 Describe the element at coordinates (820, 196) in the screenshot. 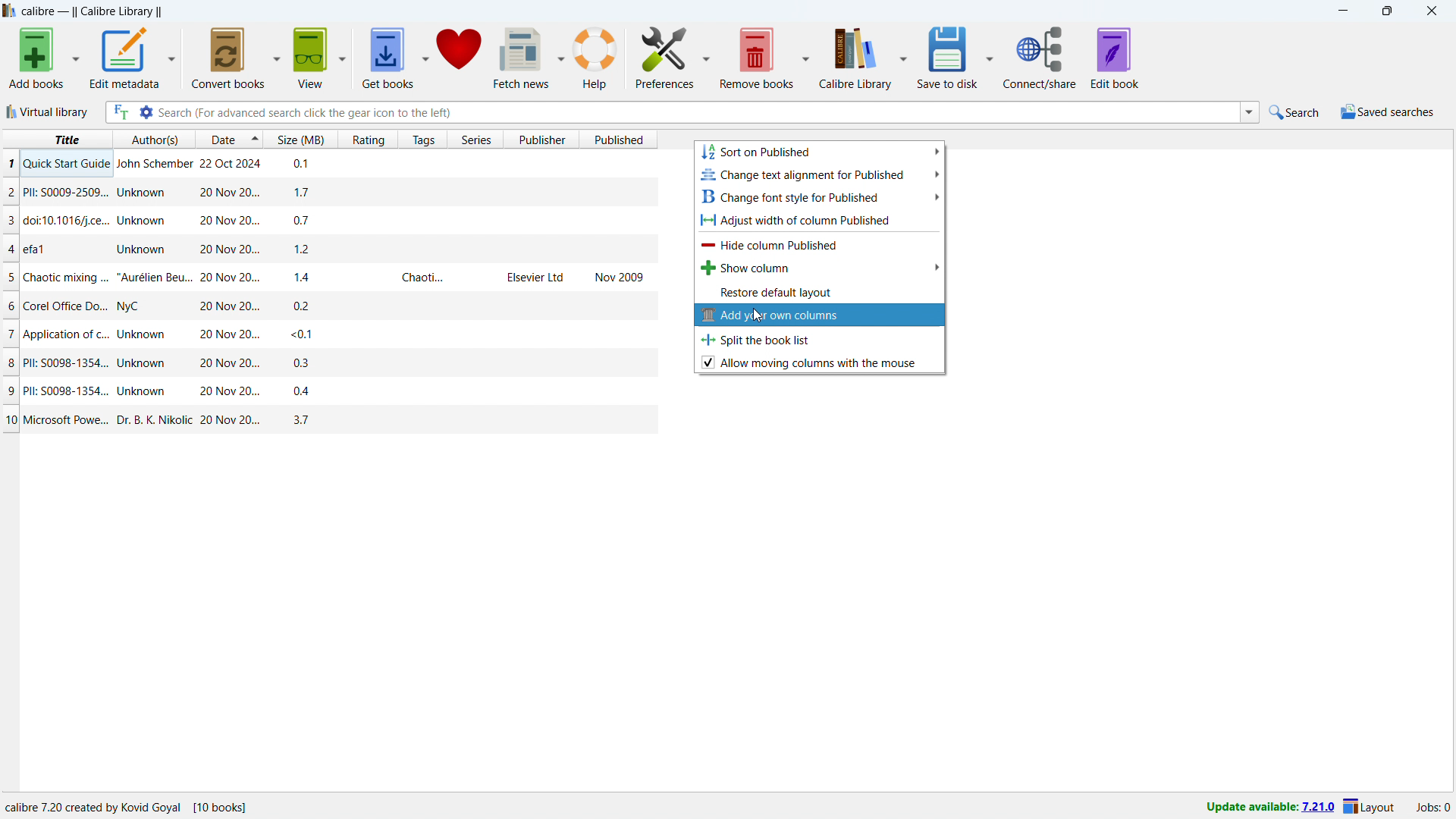

I see `change font style for published` at that location.